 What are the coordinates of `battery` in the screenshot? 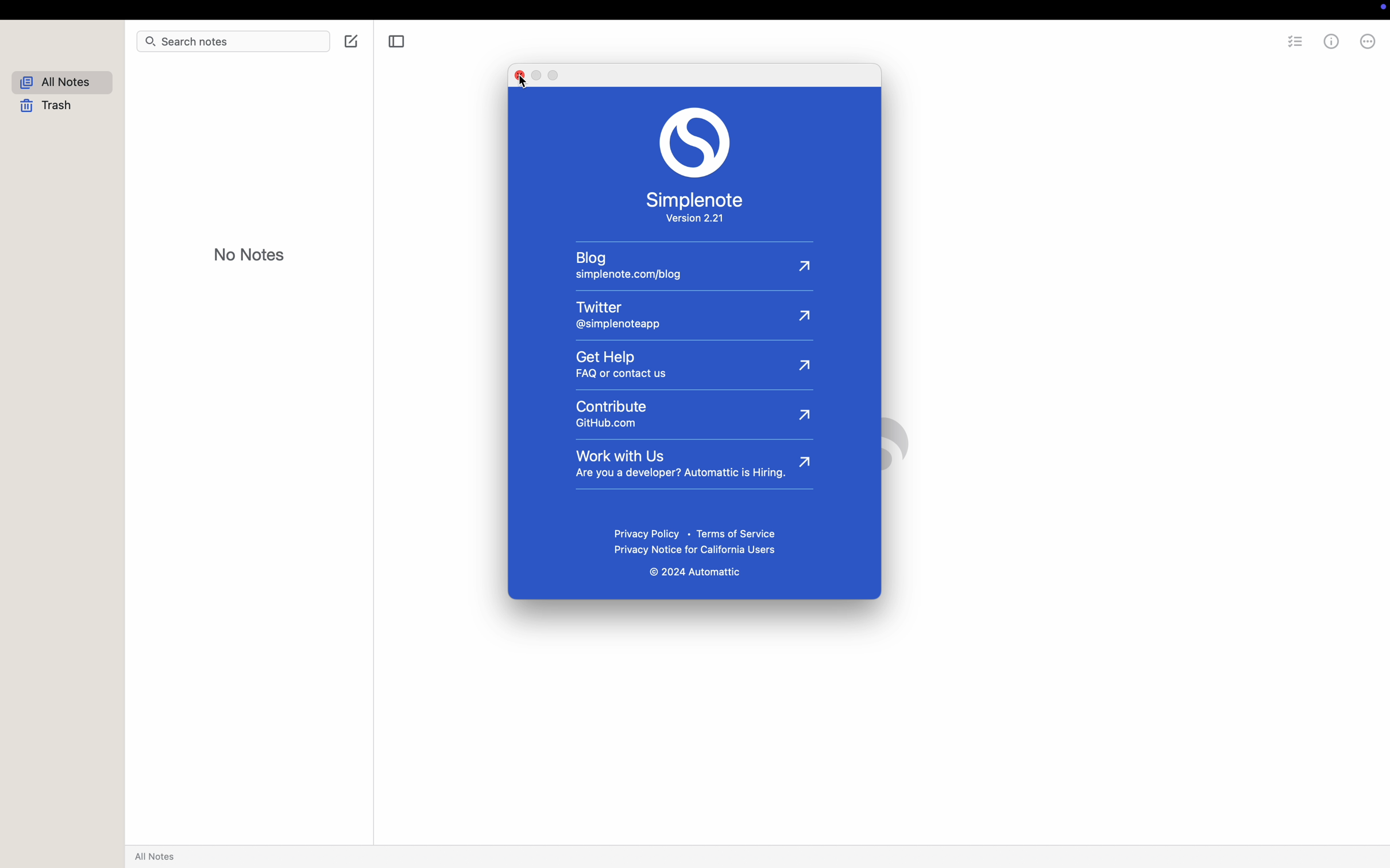 It's located at (1173, 10).